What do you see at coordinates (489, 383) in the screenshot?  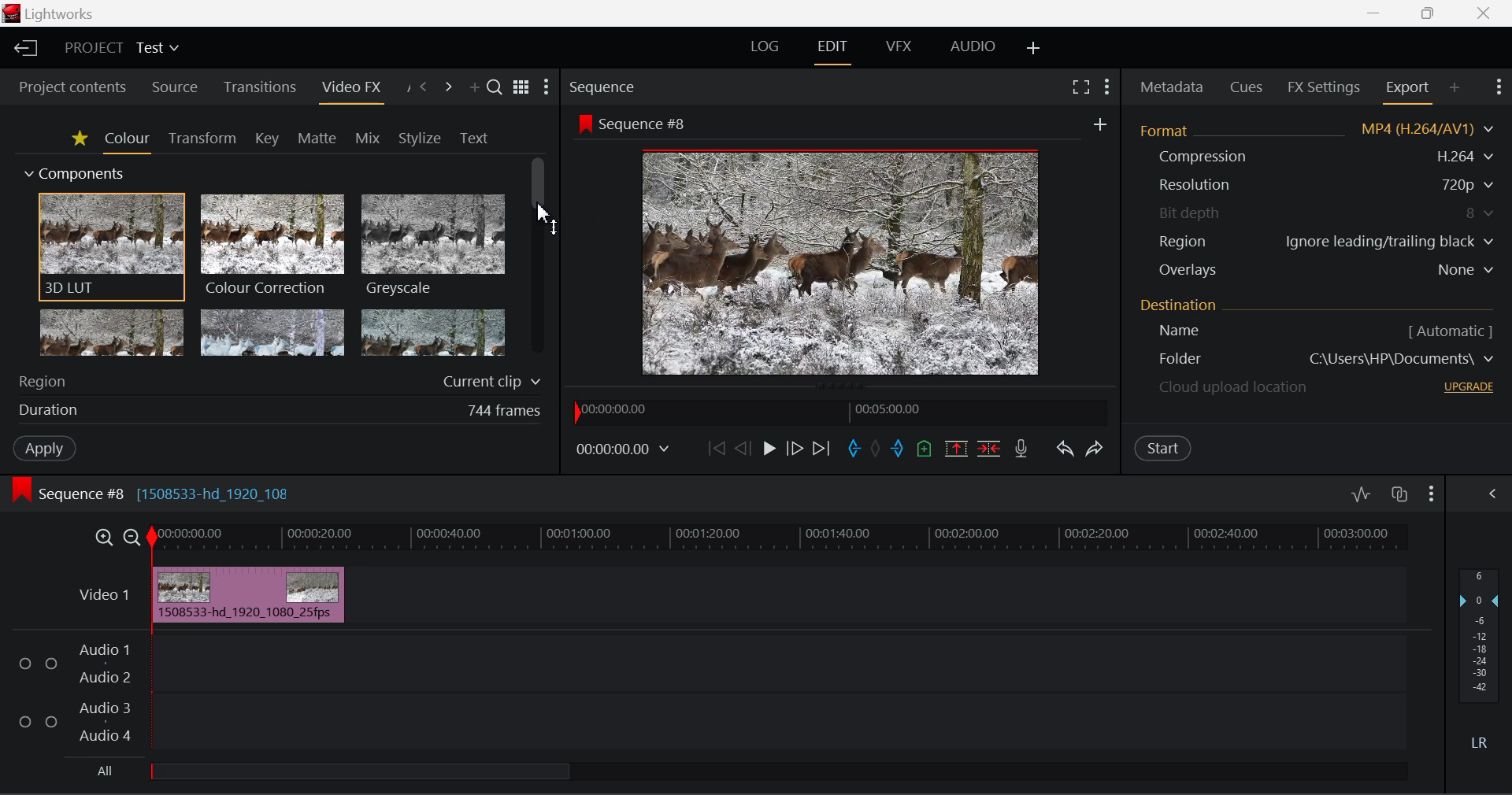 I see `Current clip ` at bounding box center [489, 383].